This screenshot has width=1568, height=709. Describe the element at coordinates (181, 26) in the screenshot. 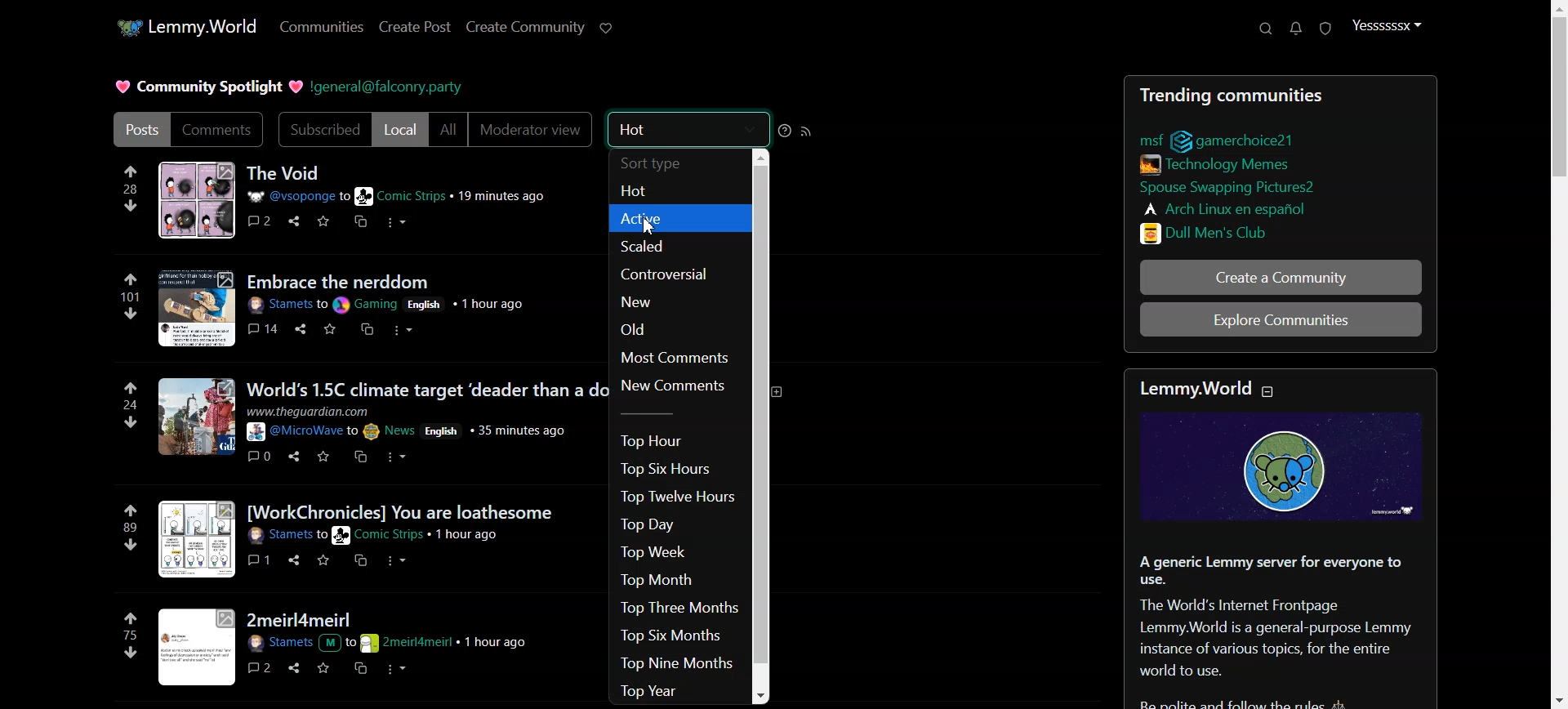

I see `Home Page` at that location.